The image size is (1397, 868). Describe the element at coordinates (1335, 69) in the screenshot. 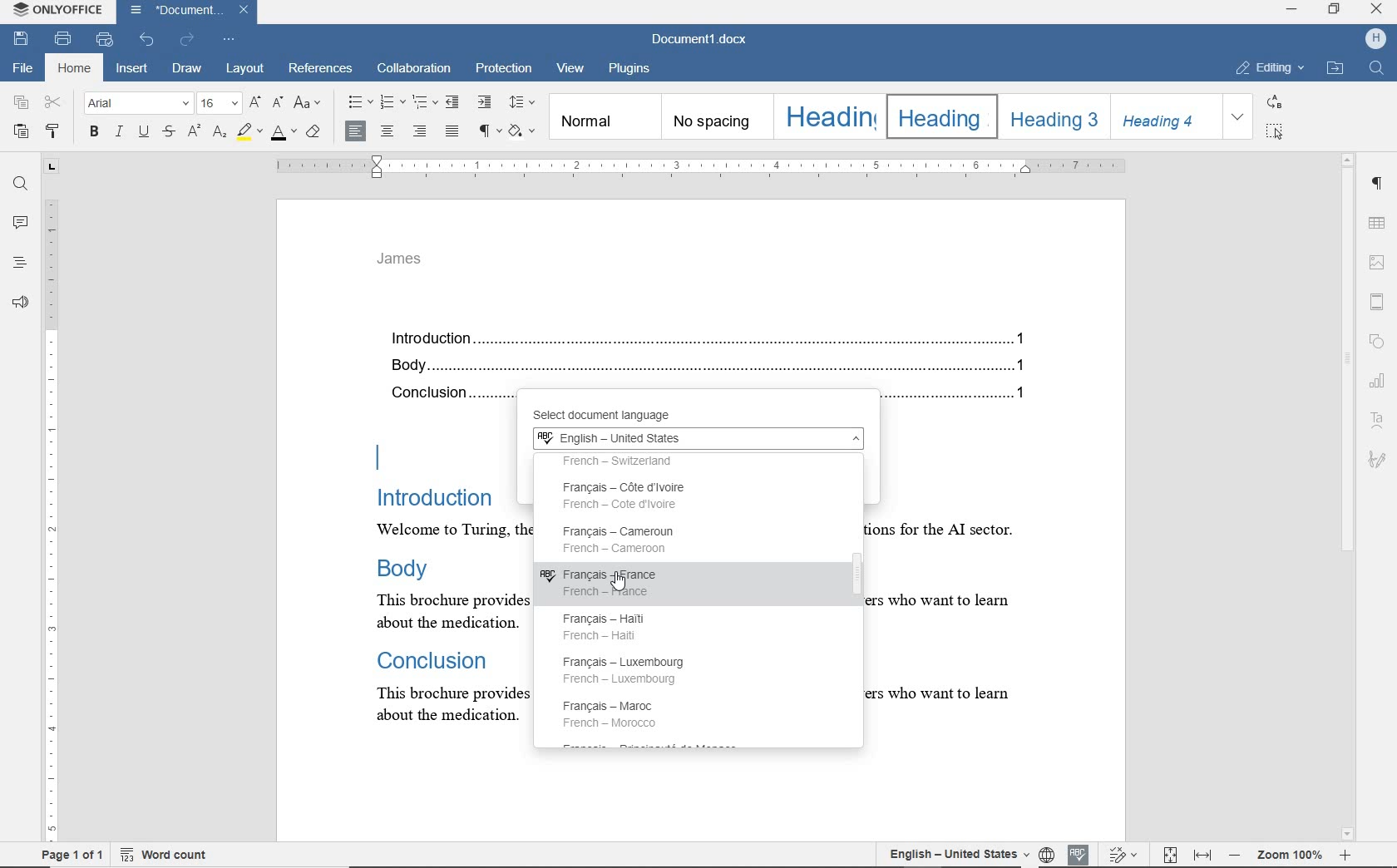

I see `OPEN FILE LOCATION` at that location.